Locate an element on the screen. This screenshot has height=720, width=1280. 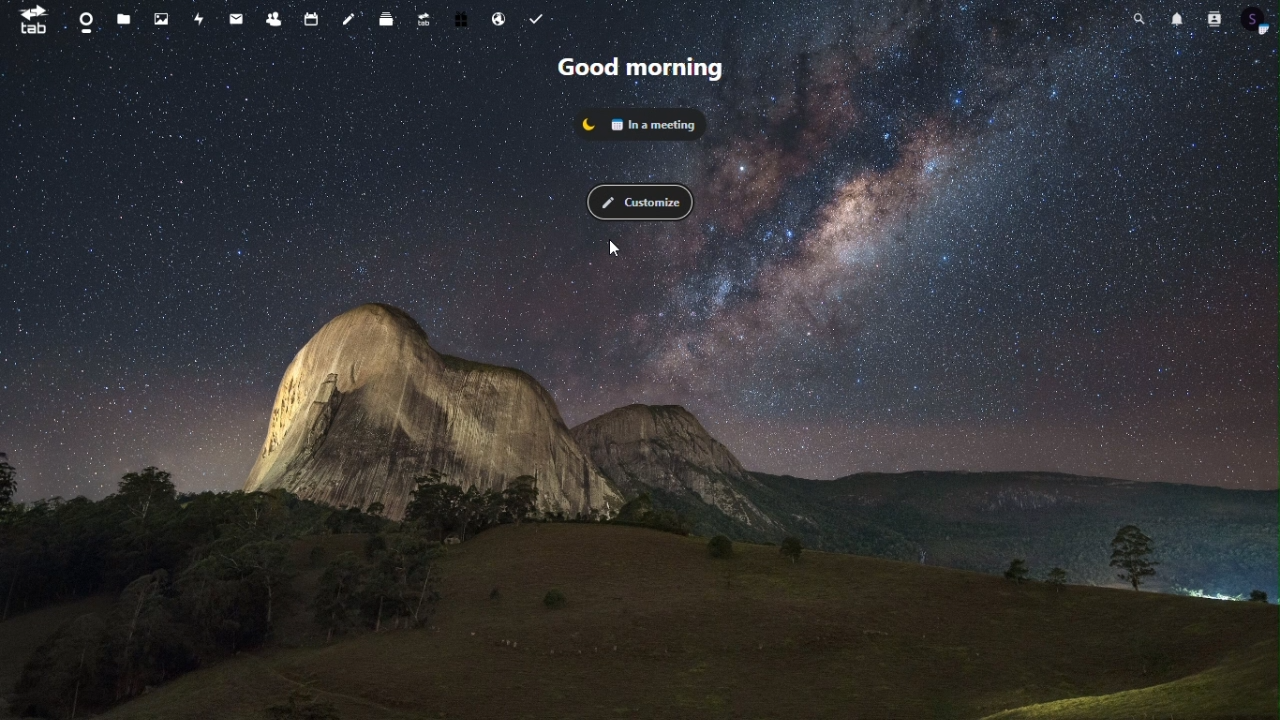
good morning is located at coordinates (638, 64).